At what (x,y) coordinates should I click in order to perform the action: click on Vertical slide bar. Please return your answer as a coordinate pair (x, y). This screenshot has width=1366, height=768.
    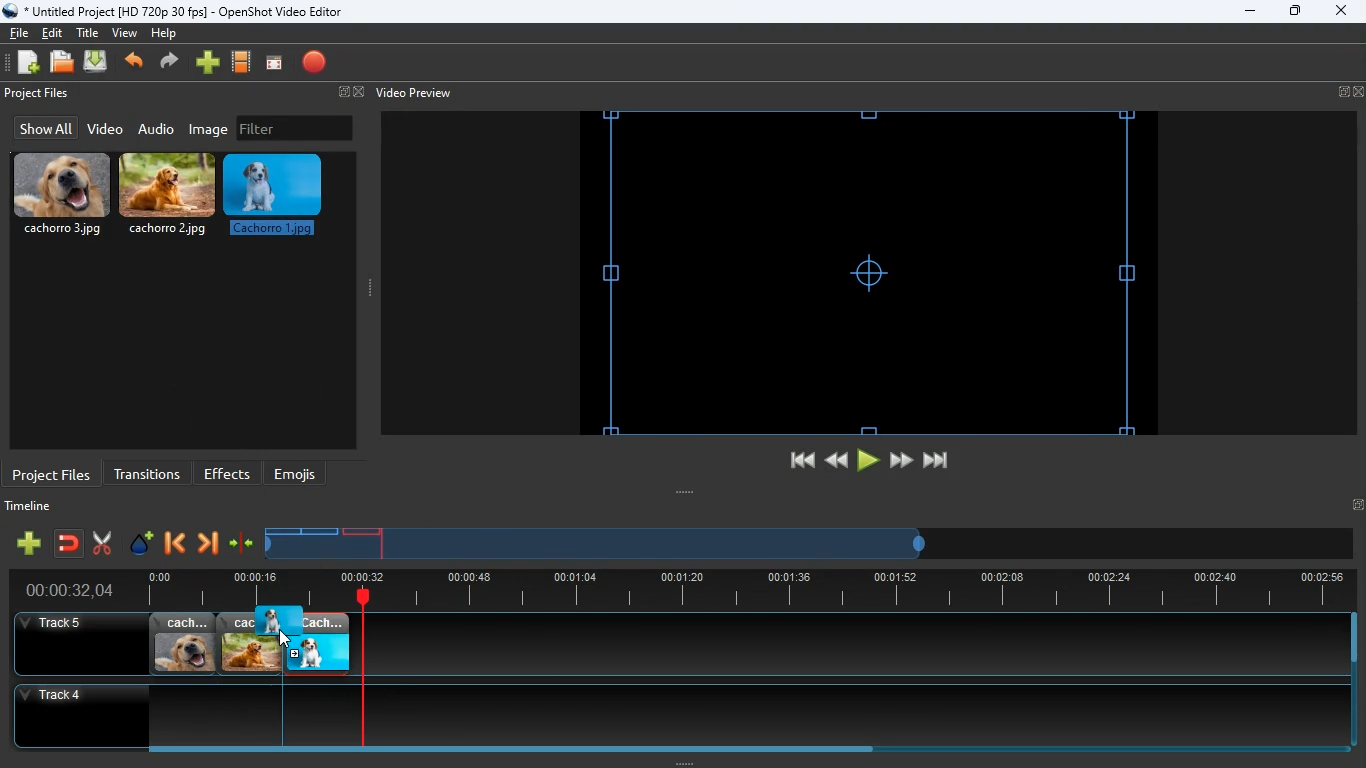
    Looking at the image, I should click on (1354, 680).